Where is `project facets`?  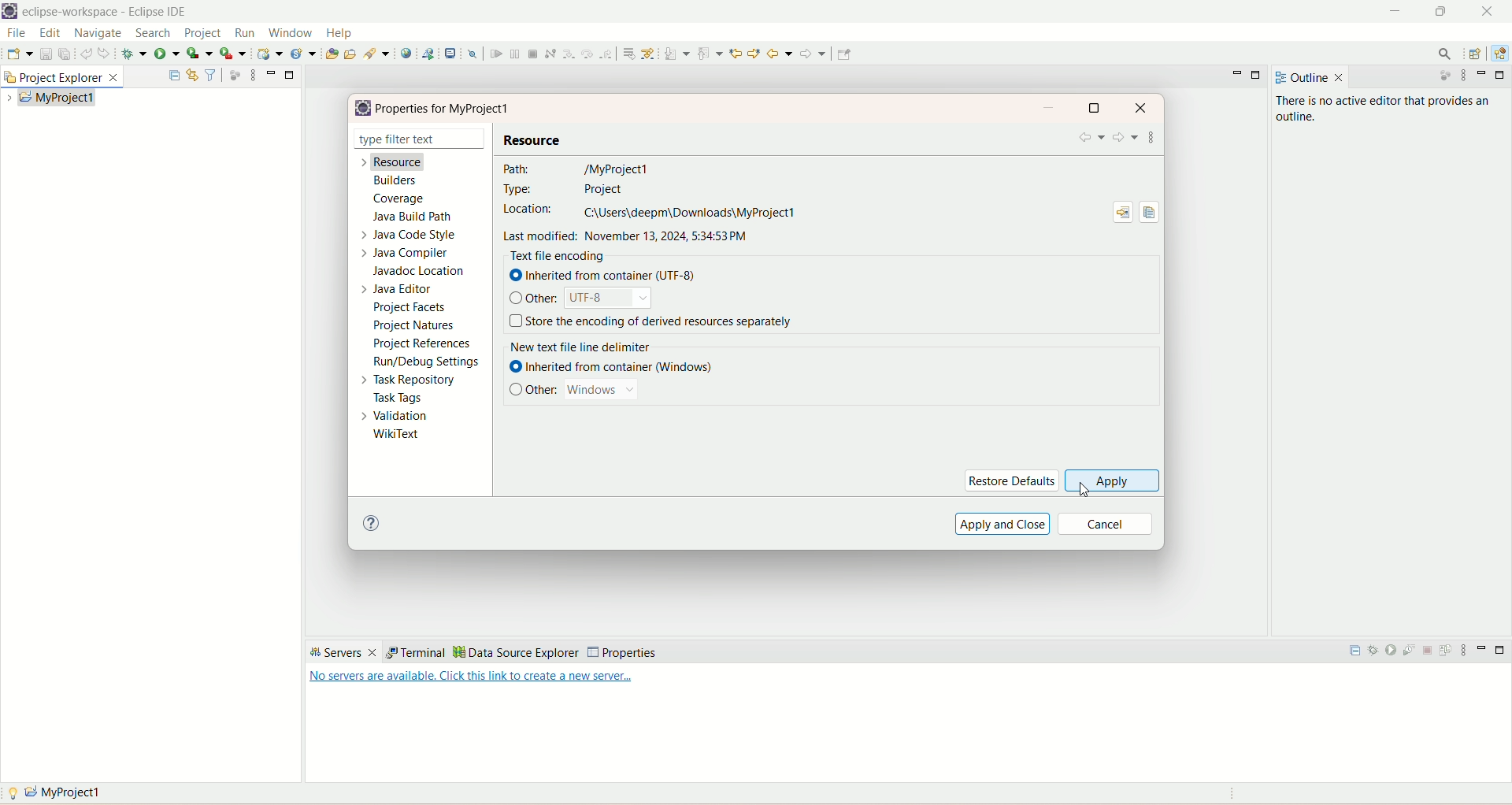
project facets is located at coordinates (409, 308).